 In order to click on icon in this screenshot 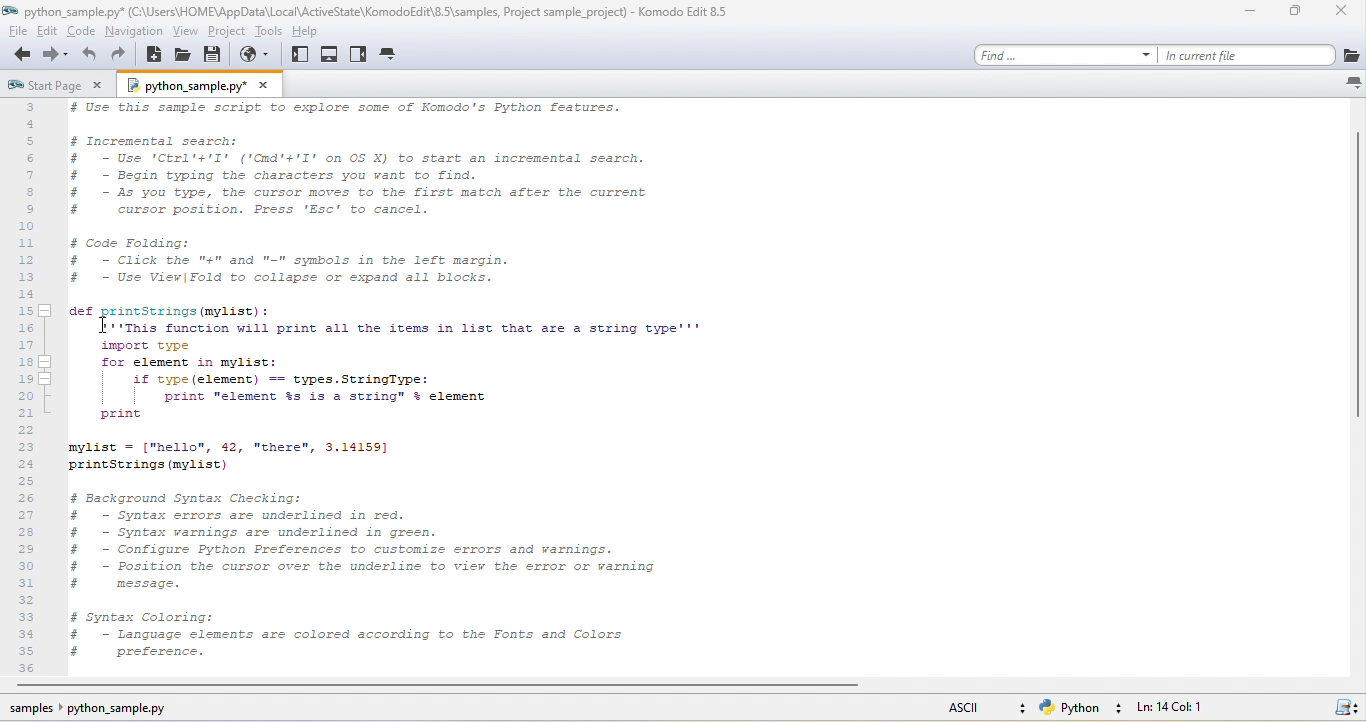, I will do `click(1351, 56)`.